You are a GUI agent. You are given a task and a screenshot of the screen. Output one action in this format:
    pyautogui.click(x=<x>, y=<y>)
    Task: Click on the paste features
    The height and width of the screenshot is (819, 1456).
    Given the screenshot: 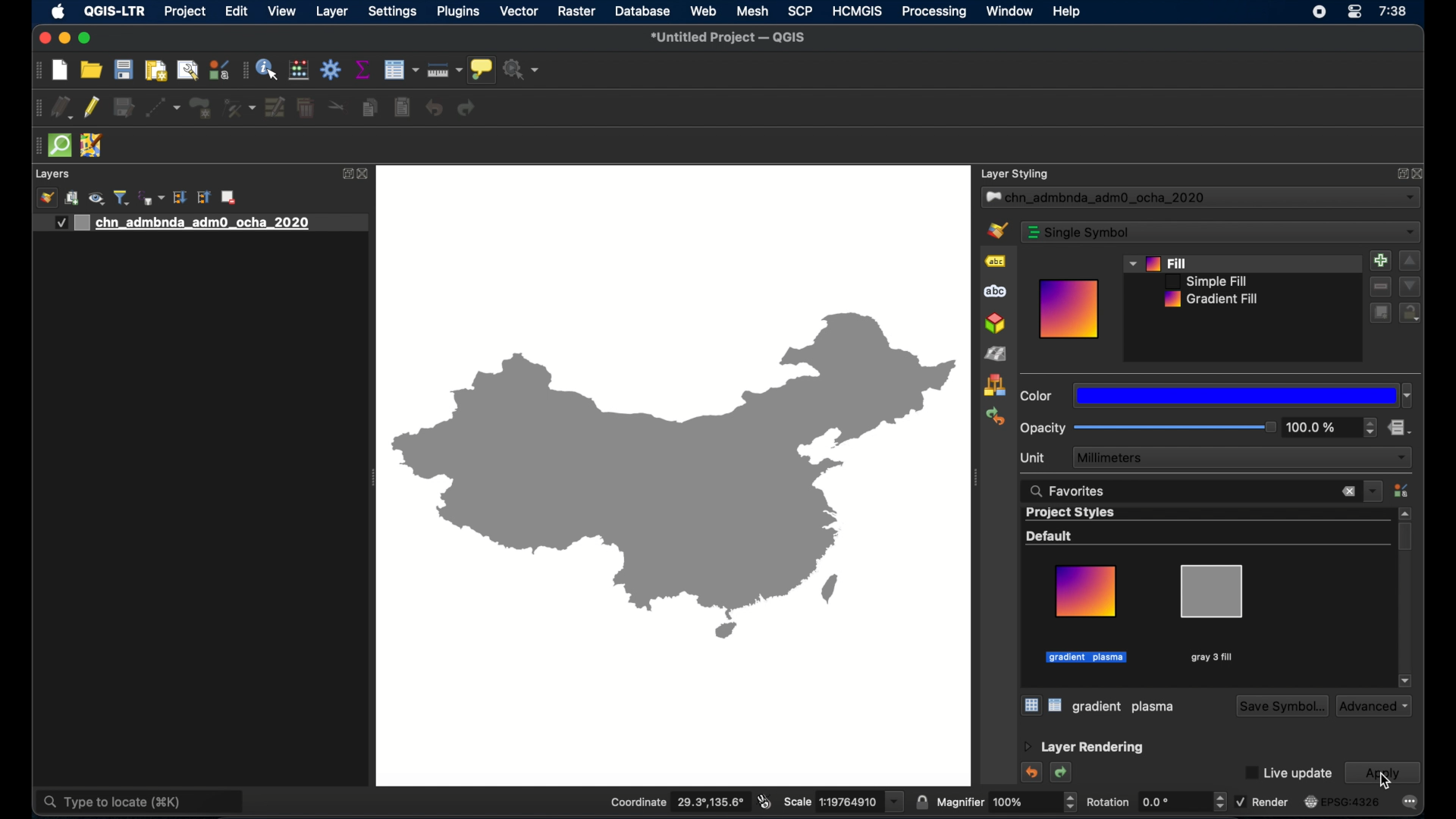 What is the action you would take?
    pyautogui.click(x=403, y=108)
    